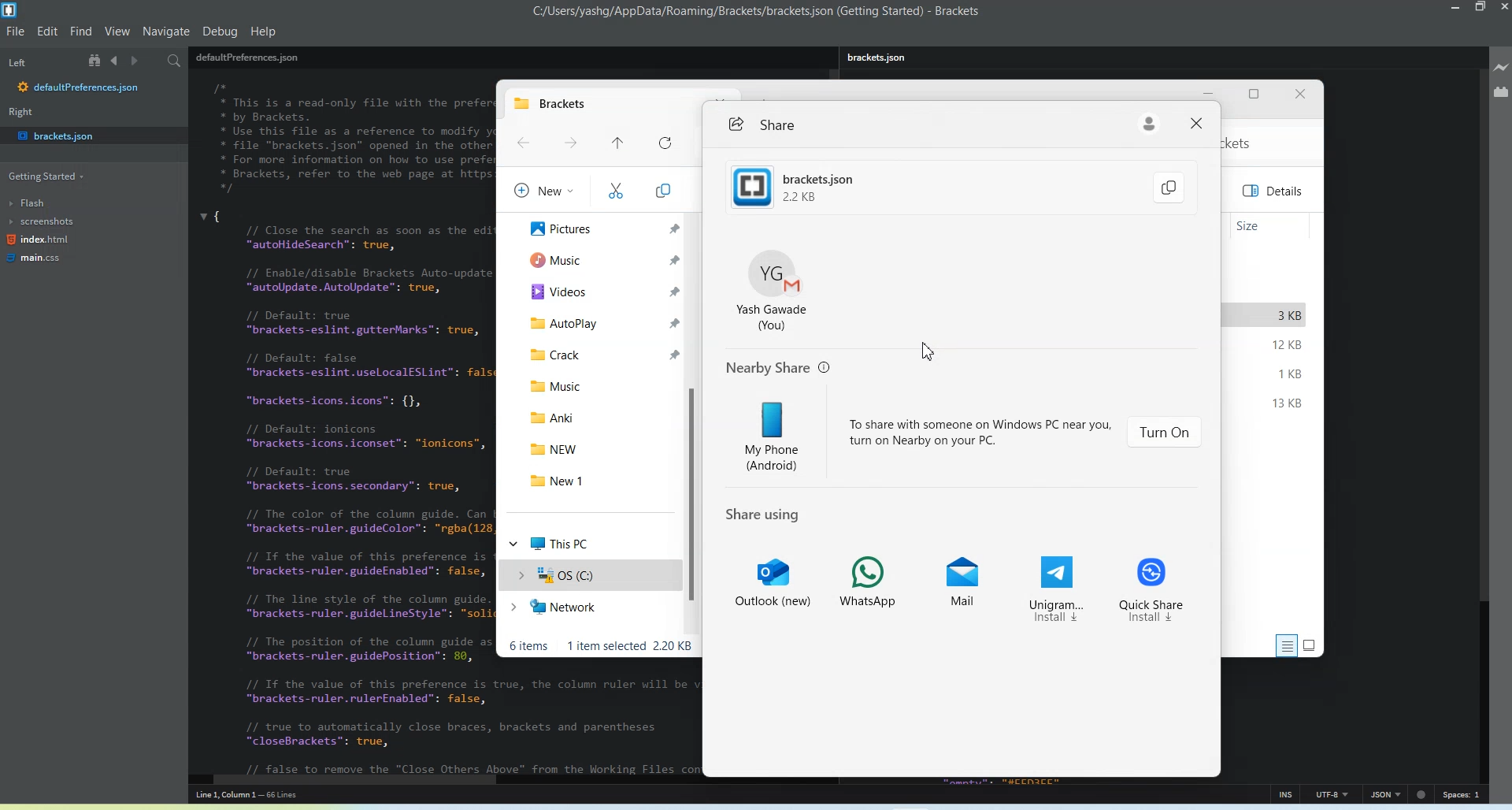 The image size is (1512, 810). I want to click on screenshots, so click(43, 223).